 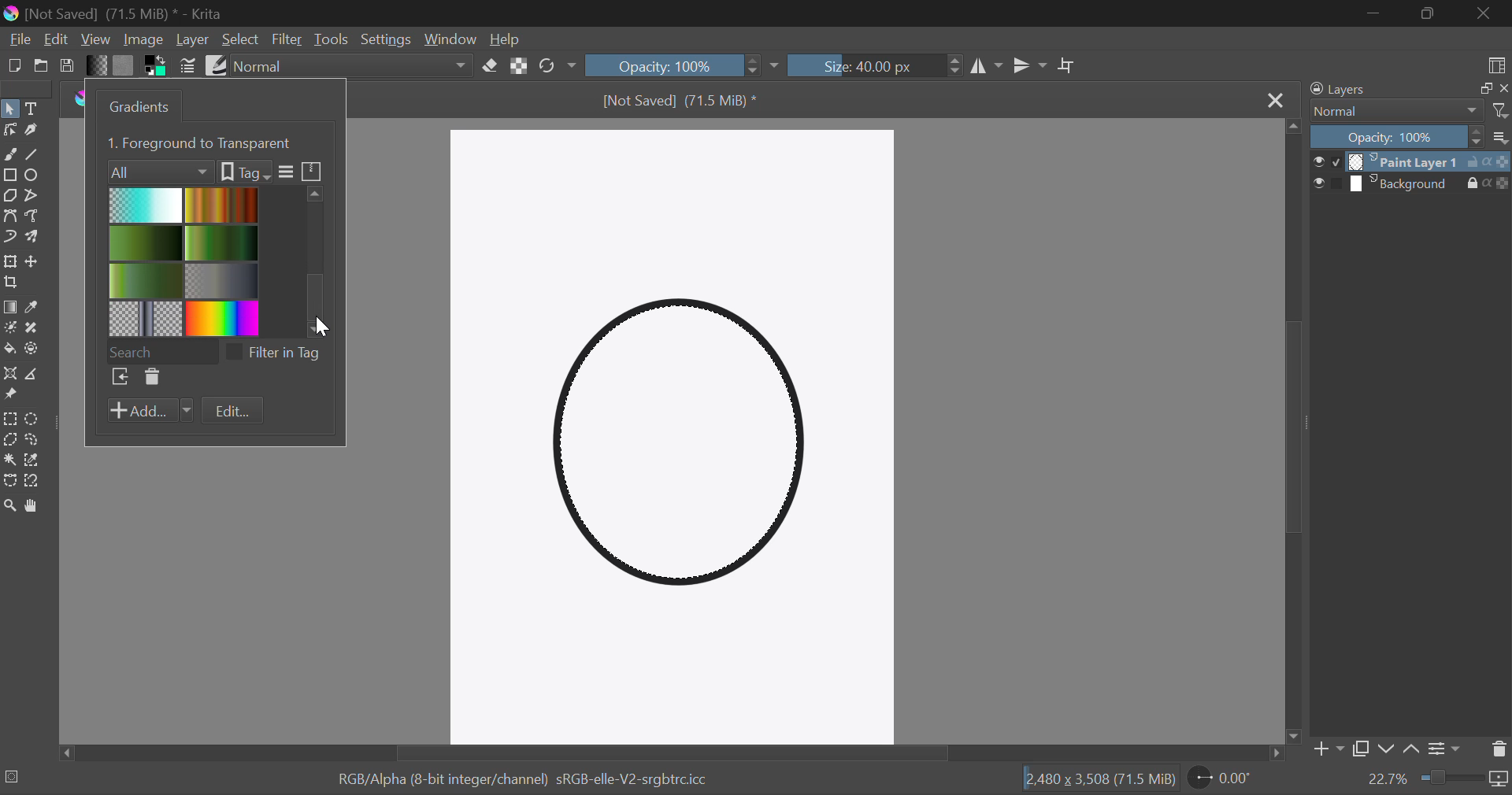 What do you see at coordinates (287, 172) in the screenshot?
I see `more` at bounding box center [287, 172].